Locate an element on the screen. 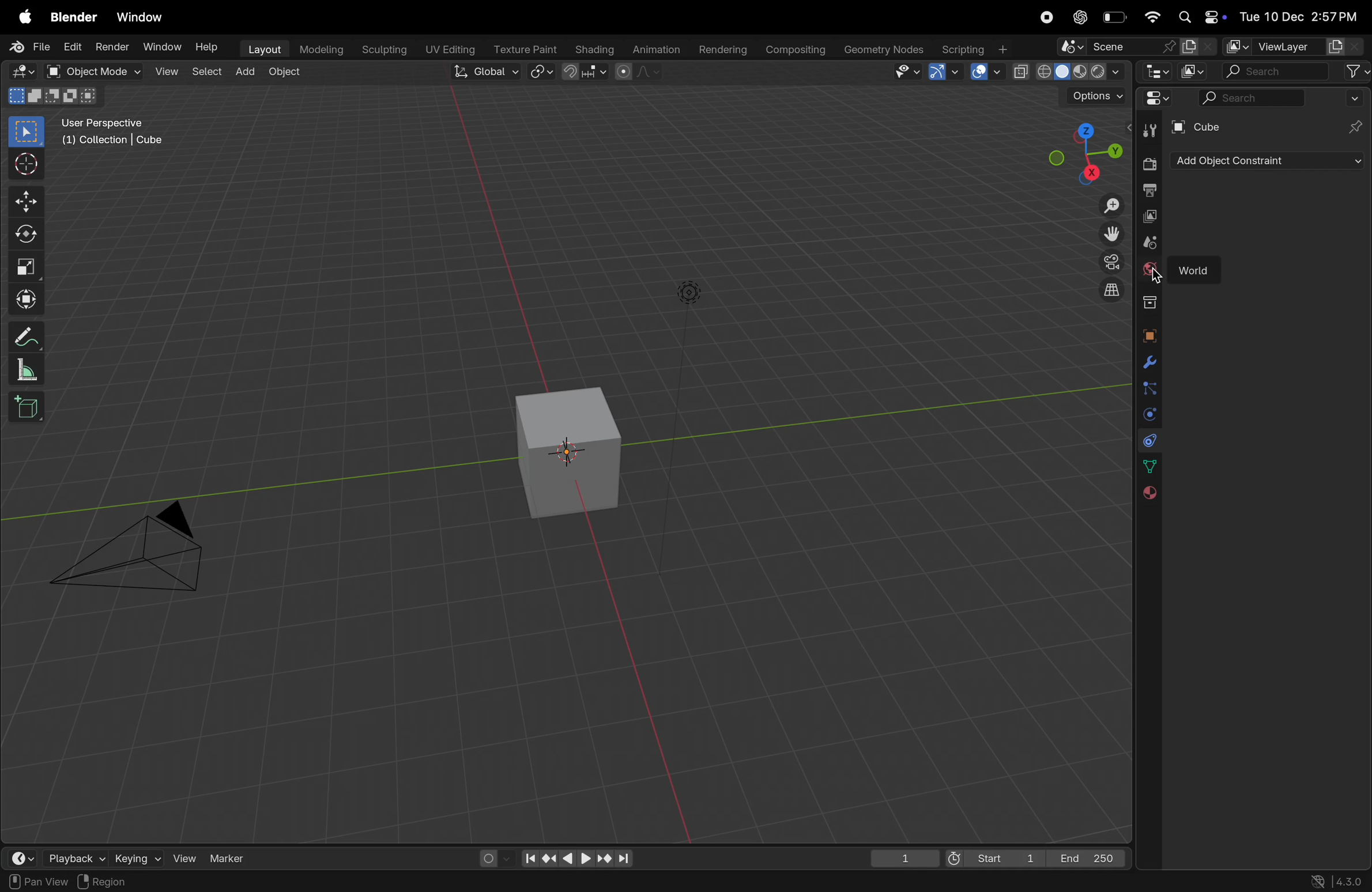 The height and width of the screenshot is (892, 1372). orthographic view is located at coordinates (1114, 291).